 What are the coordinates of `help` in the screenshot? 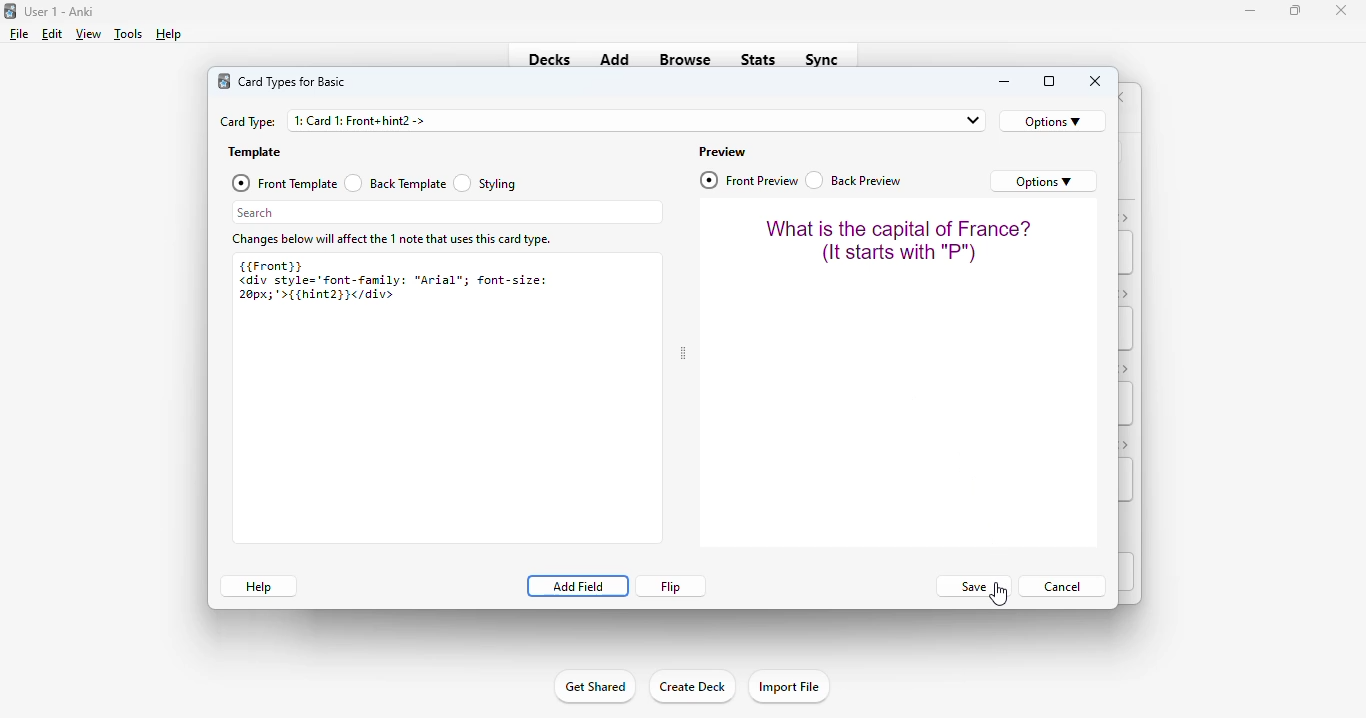 It's located at (167, 34).